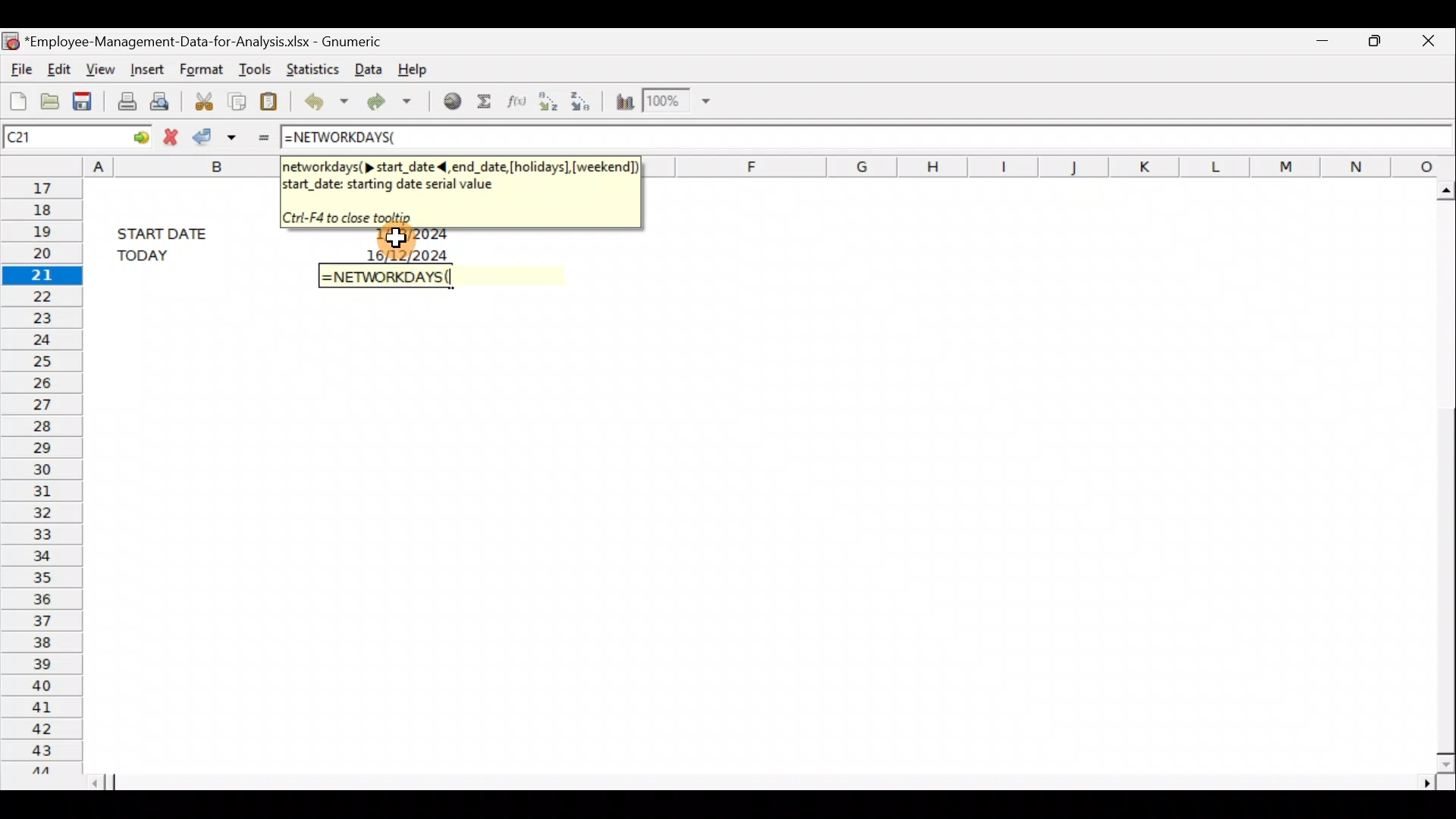 The image size is (1456, 819). Describe the element at coordinates (1374, 42) in the screenshot. I see `Maximize` at that location.